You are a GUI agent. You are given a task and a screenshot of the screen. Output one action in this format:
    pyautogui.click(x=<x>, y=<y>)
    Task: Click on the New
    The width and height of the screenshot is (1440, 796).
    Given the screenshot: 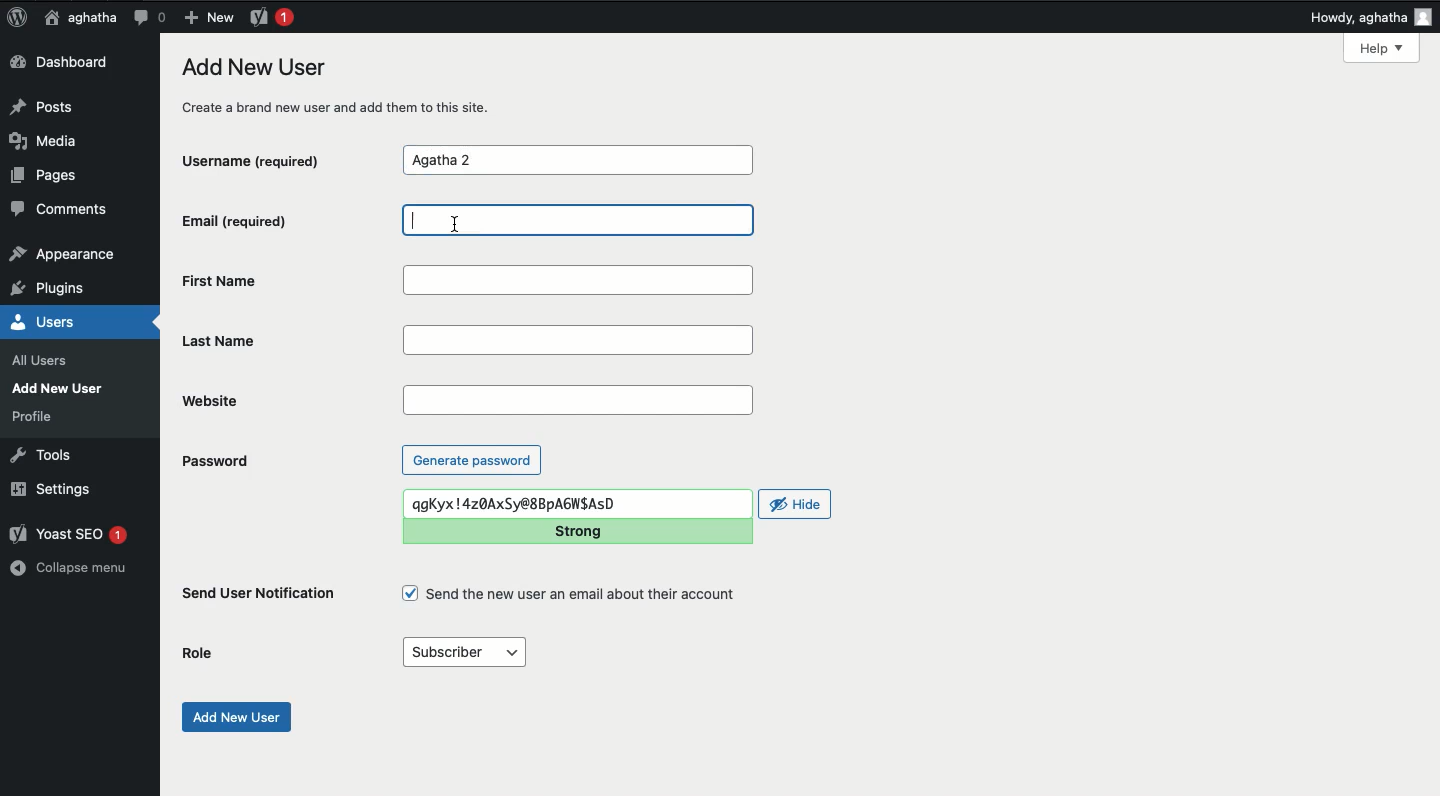 What is the action you would take?
    pyautogui.click(x=208, y=16)
    